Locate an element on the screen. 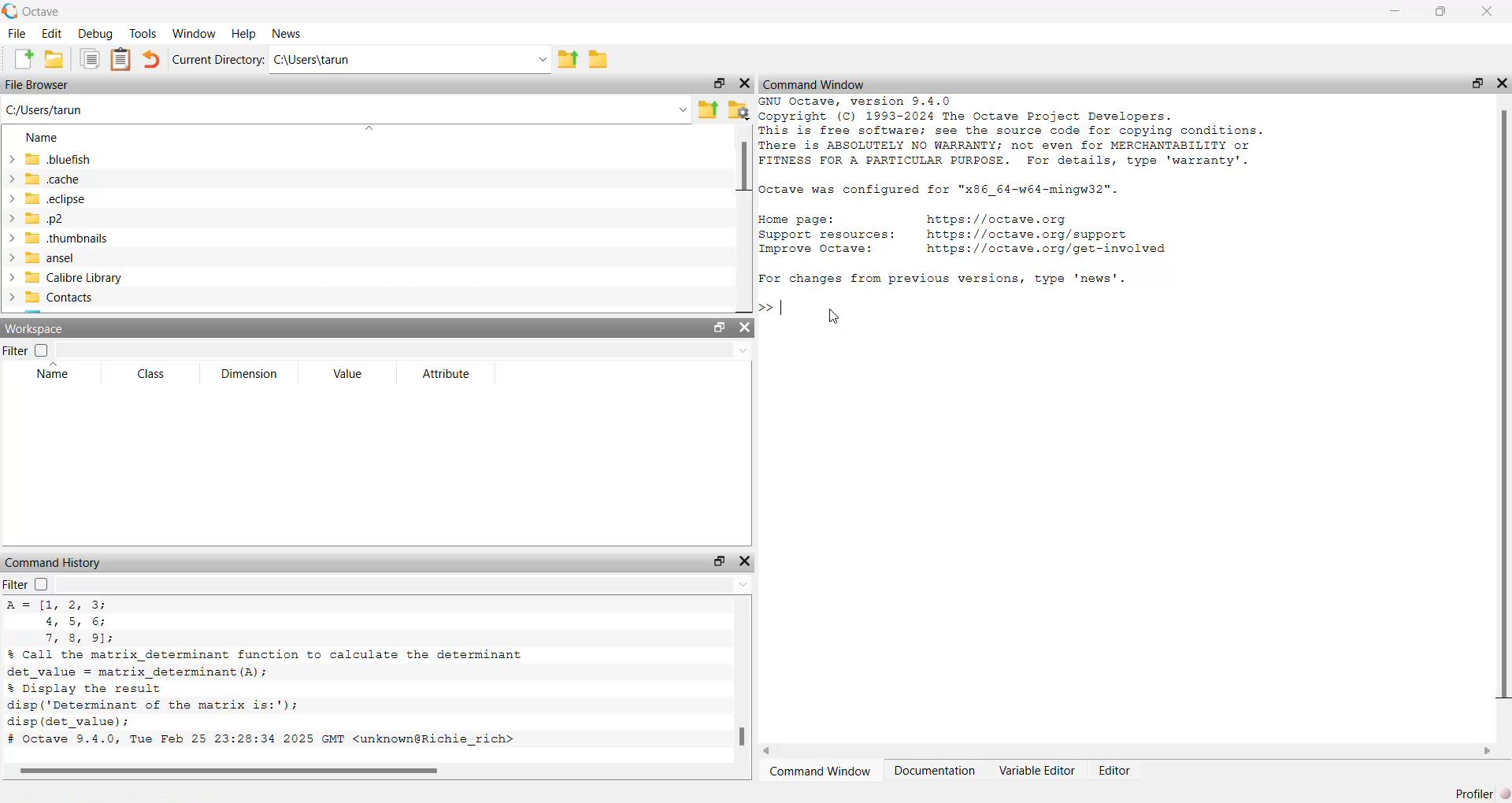 This screenshot has width=1512, height=803. off is located at coordinates (44, 350).